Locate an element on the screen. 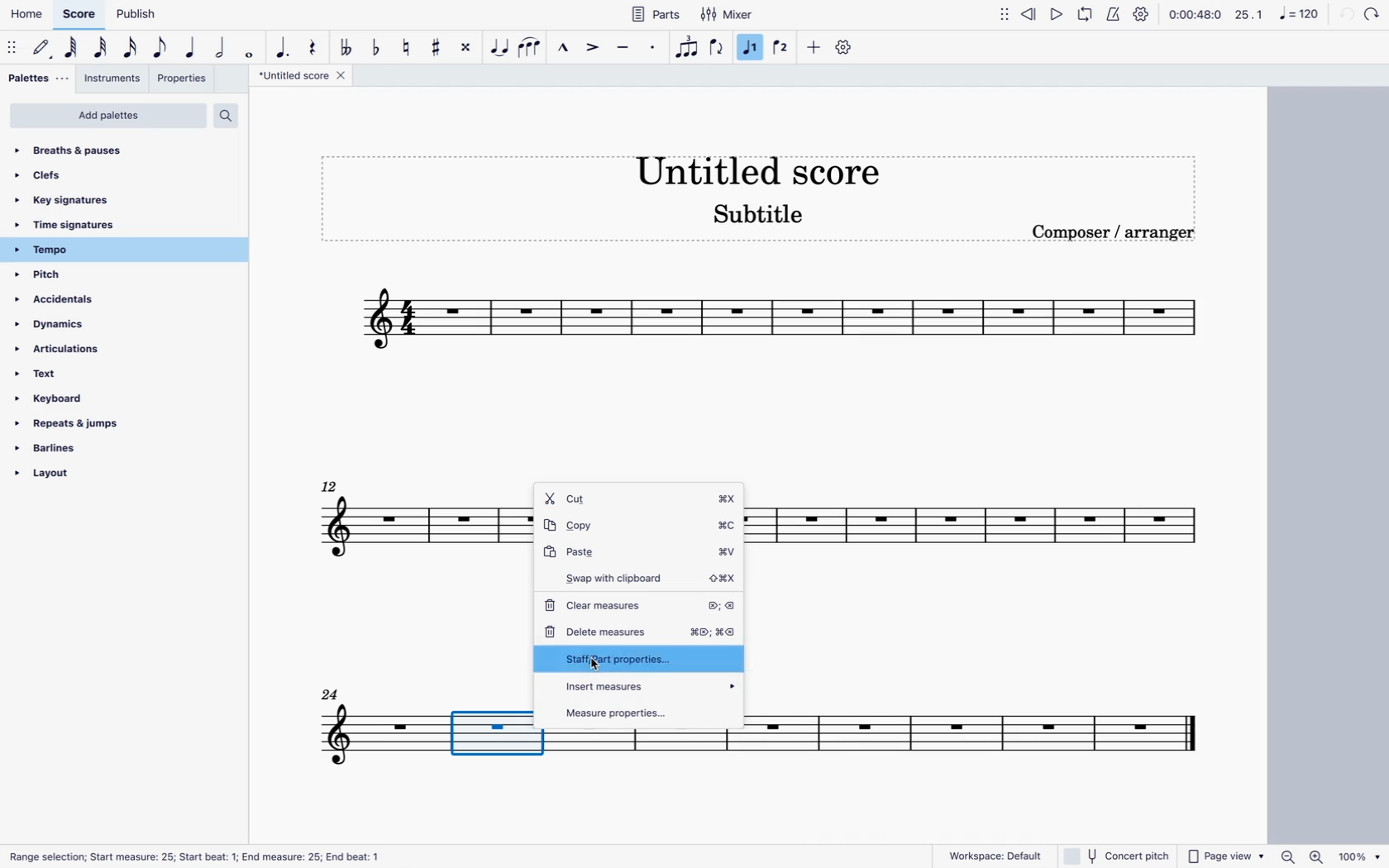 The image size is (1389, 868). move is located at coordinates (1000, 14).